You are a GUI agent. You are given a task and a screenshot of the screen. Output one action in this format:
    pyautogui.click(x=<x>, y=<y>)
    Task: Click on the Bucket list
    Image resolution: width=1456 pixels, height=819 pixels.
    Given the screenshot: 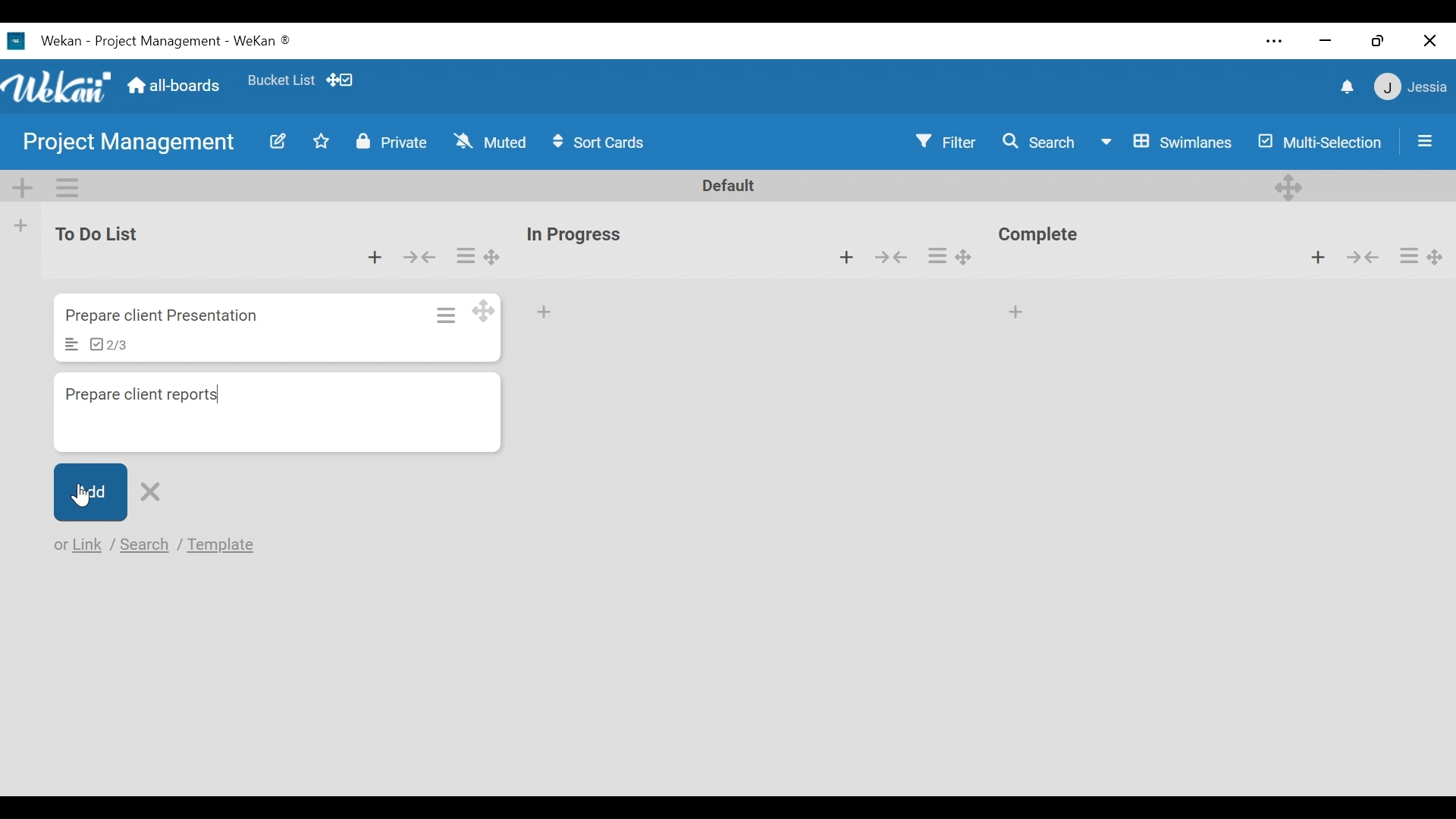 What is the action you would take?
    pyautogui.click(x=281, y=83)
    